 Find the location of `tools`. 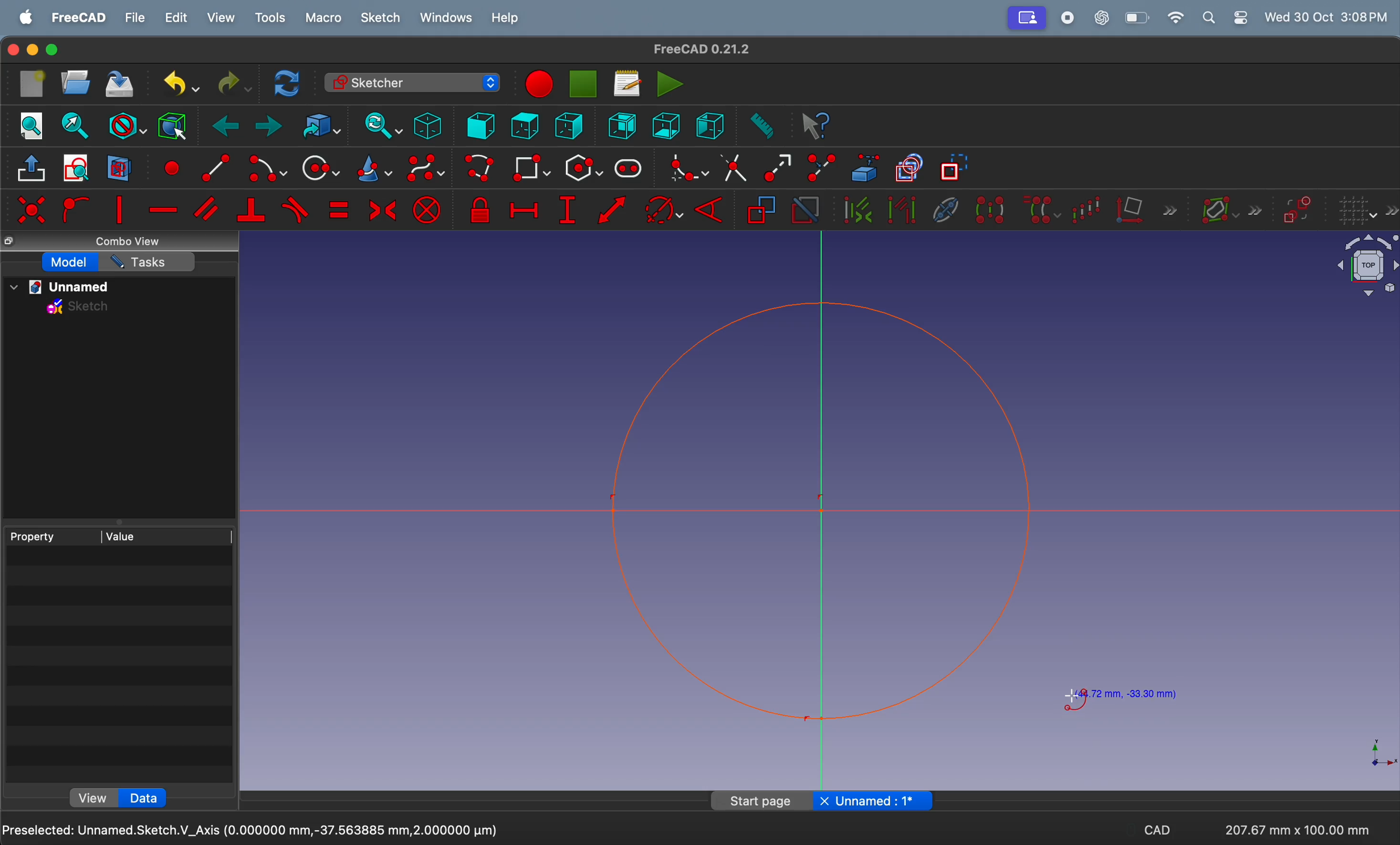

tools is located at coordinates (273, 18).